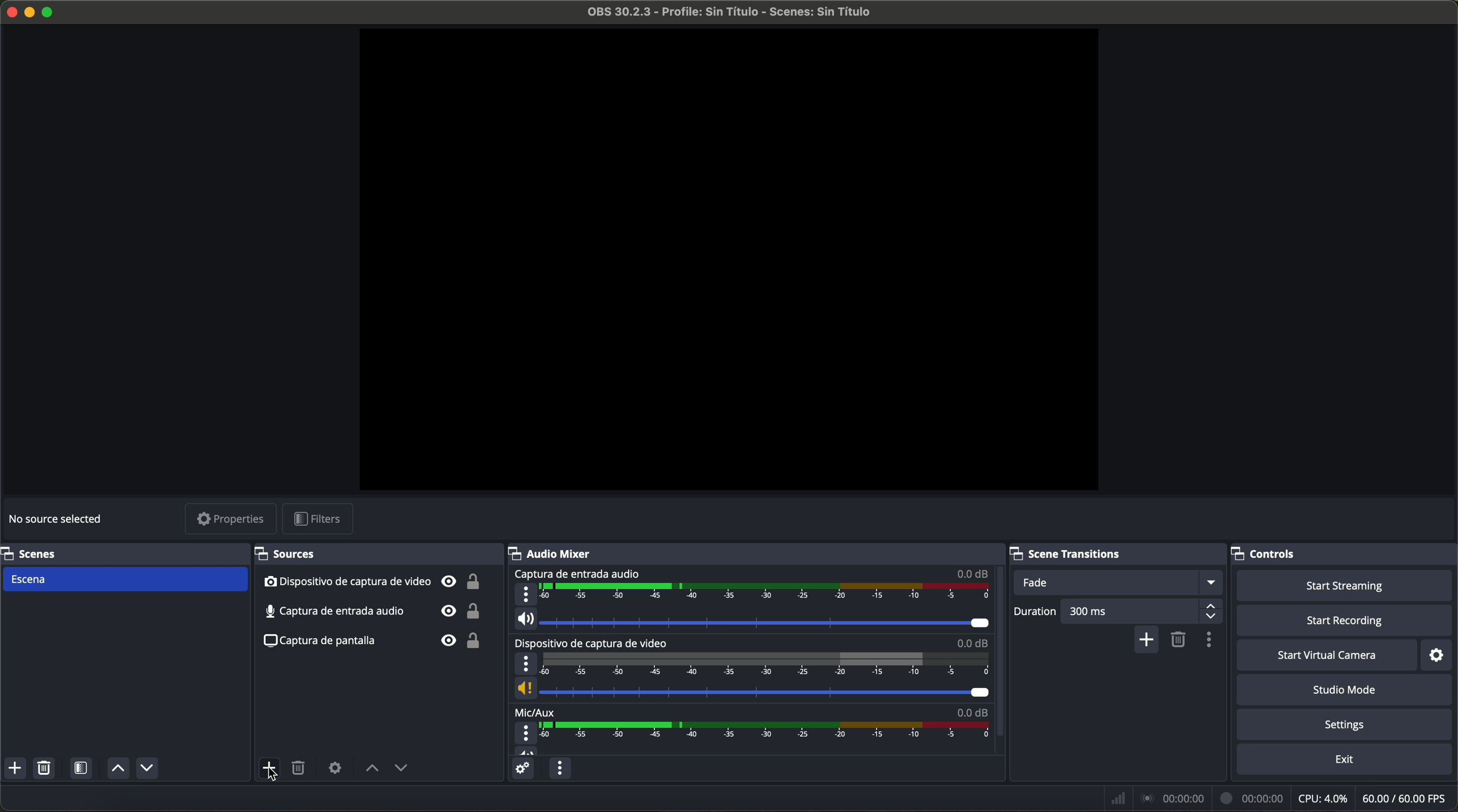 The width and height of the screenshot is (1458, 812). What do you see at coordinates (1079, 552) in the screenshot?
I see `scene transitions` at bounding box center [1079, 552].